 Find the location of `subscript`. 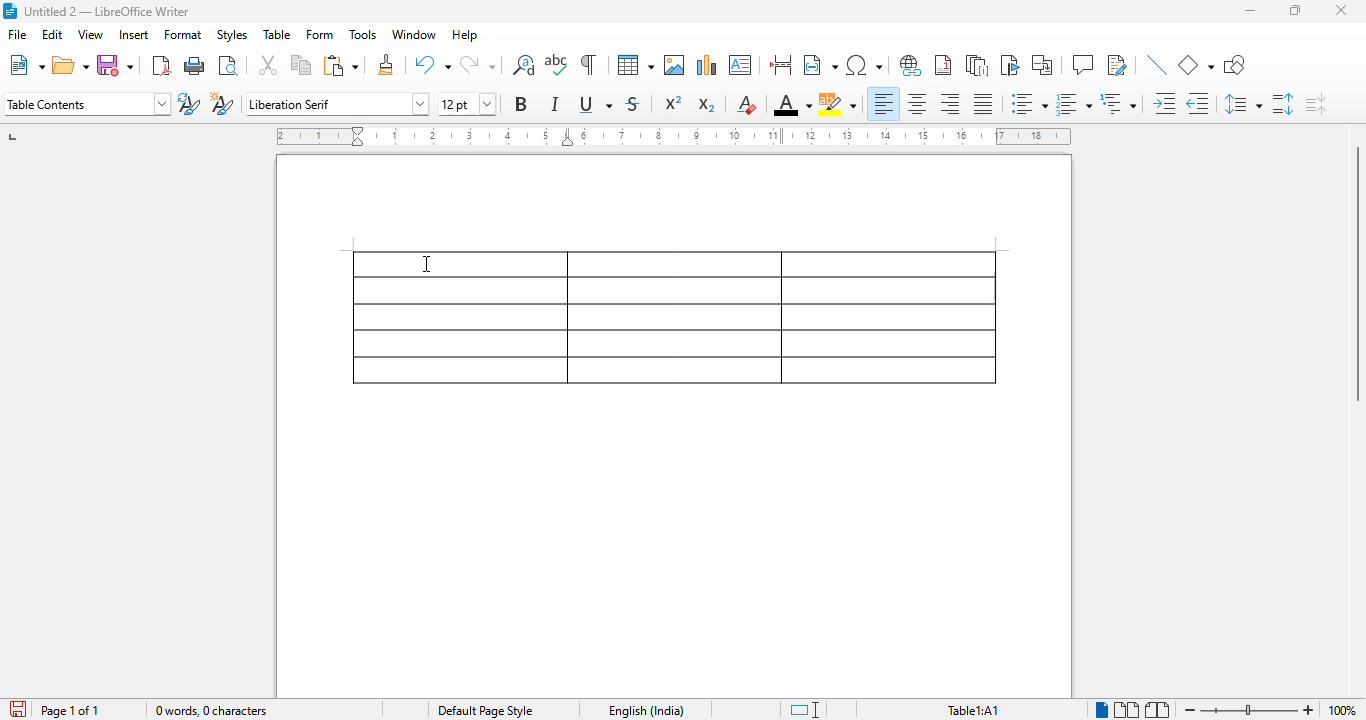

subscript is located at coordinates (707, 105).